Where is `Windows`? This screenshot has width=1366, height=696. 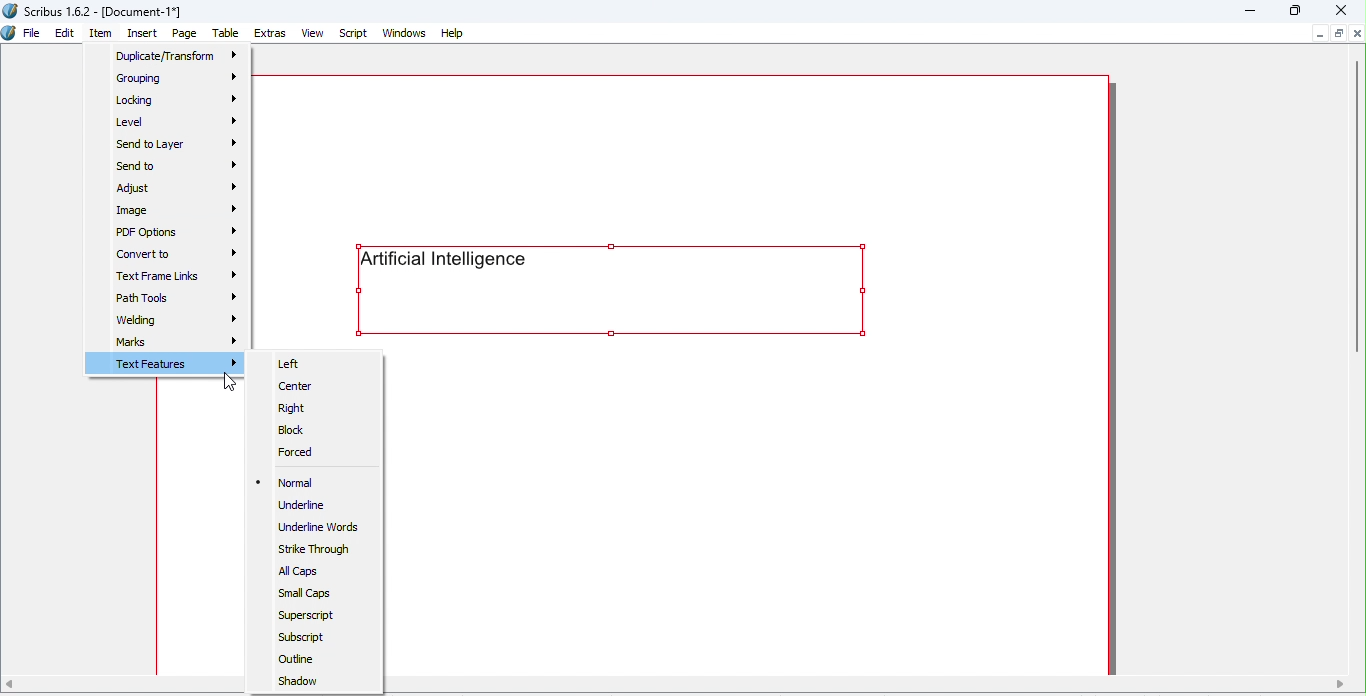 Windows is located at coordinates (407, 32).